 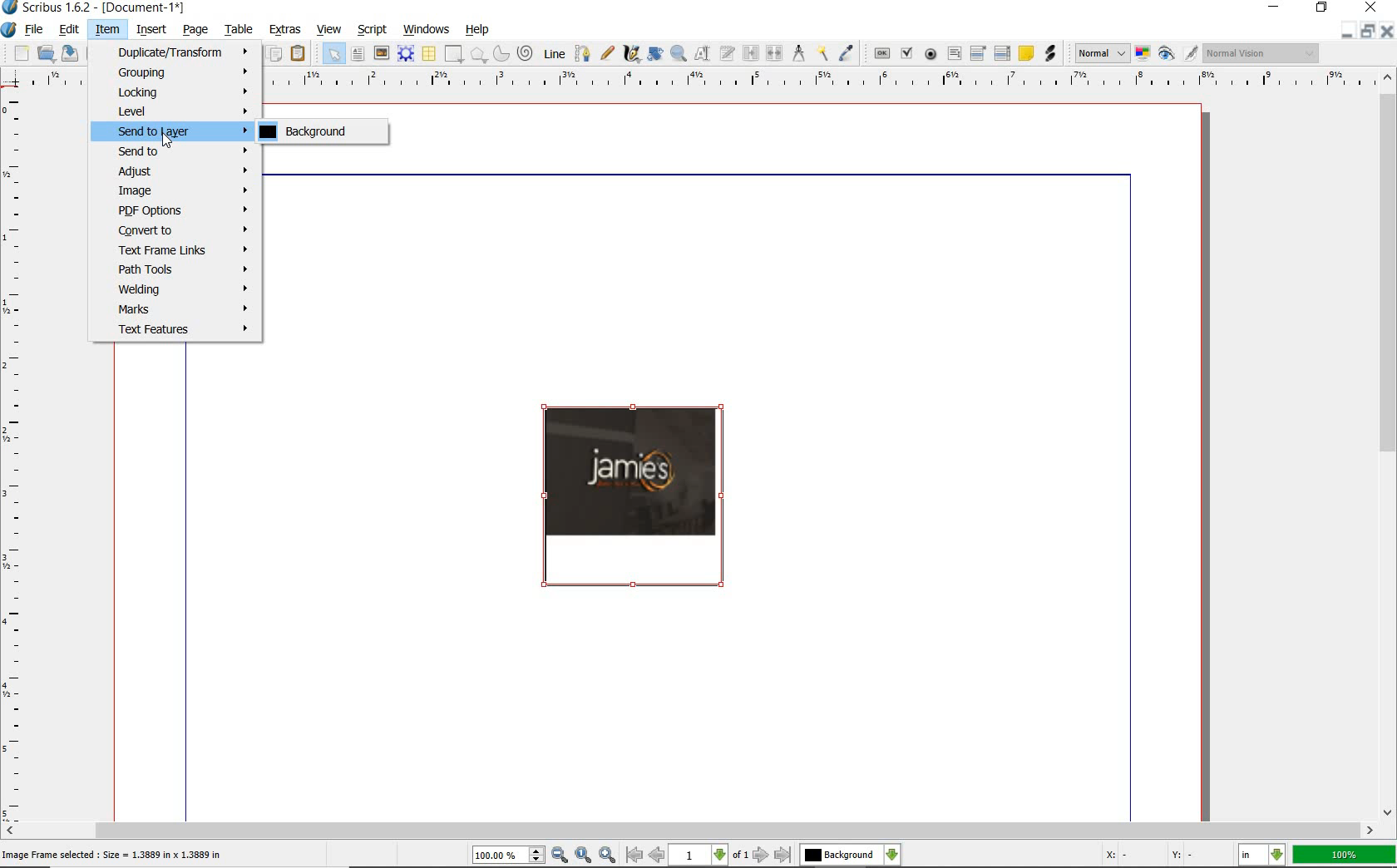 What do you see at coordinates (658, 857) in the screenshot?
I see `Previous Page` at bounding box center [658, 857].